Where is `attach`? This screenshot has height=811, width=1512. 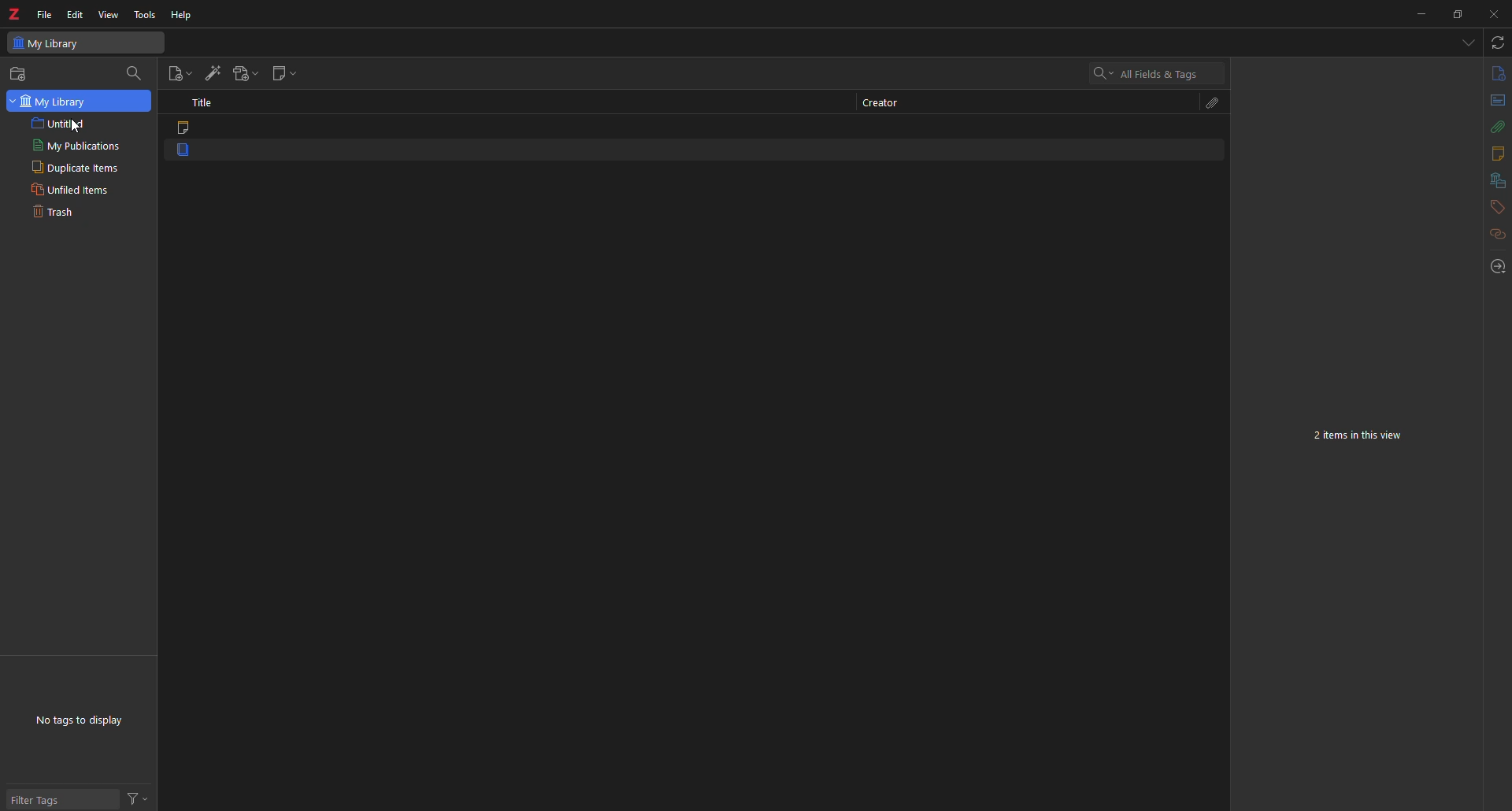
attach is located at coordinates (1495, 128).